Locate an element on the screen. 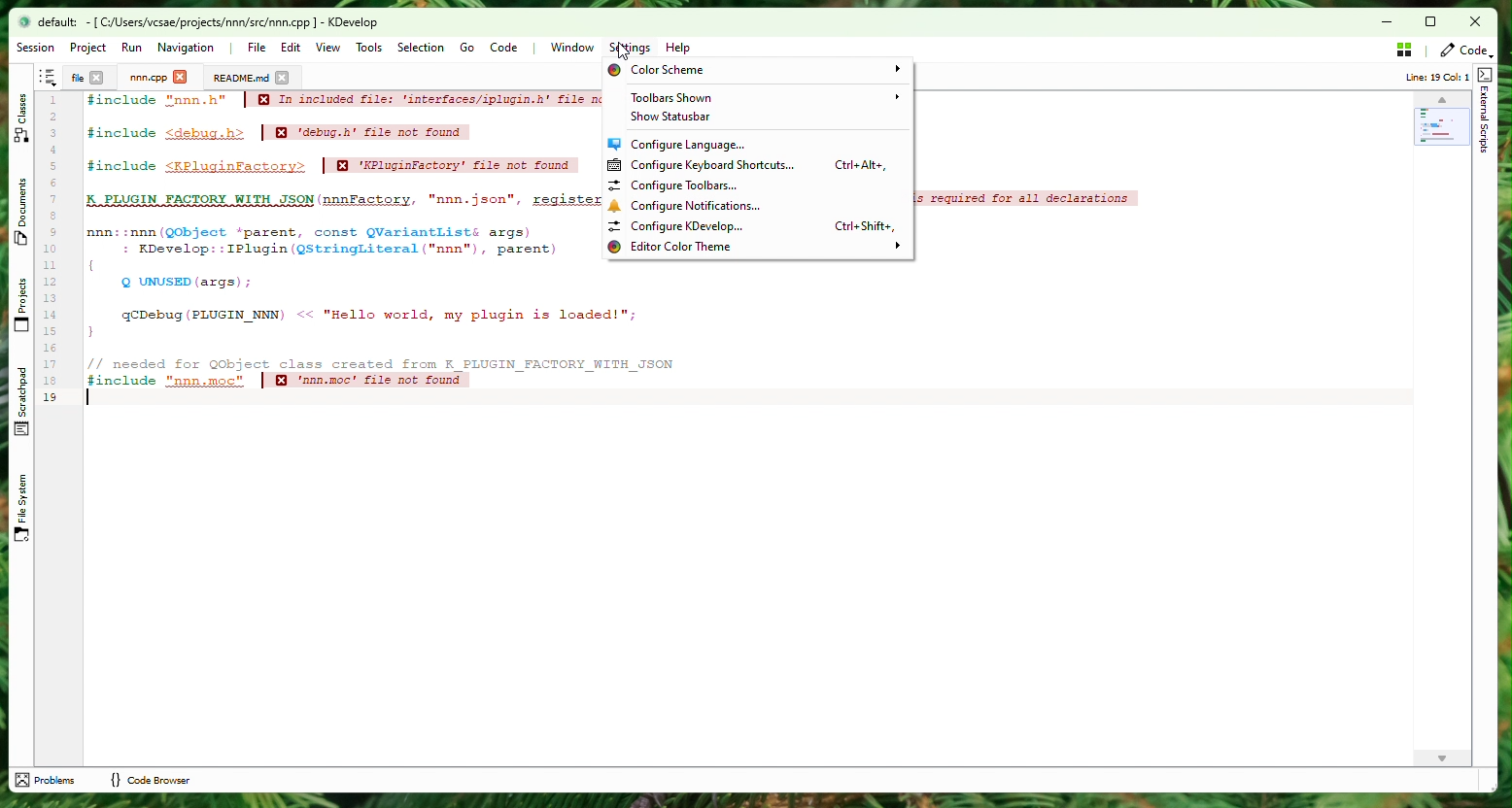 This screenshot has height=808, width=1512. Configure kdevelop is located at coordinates (755, 226).